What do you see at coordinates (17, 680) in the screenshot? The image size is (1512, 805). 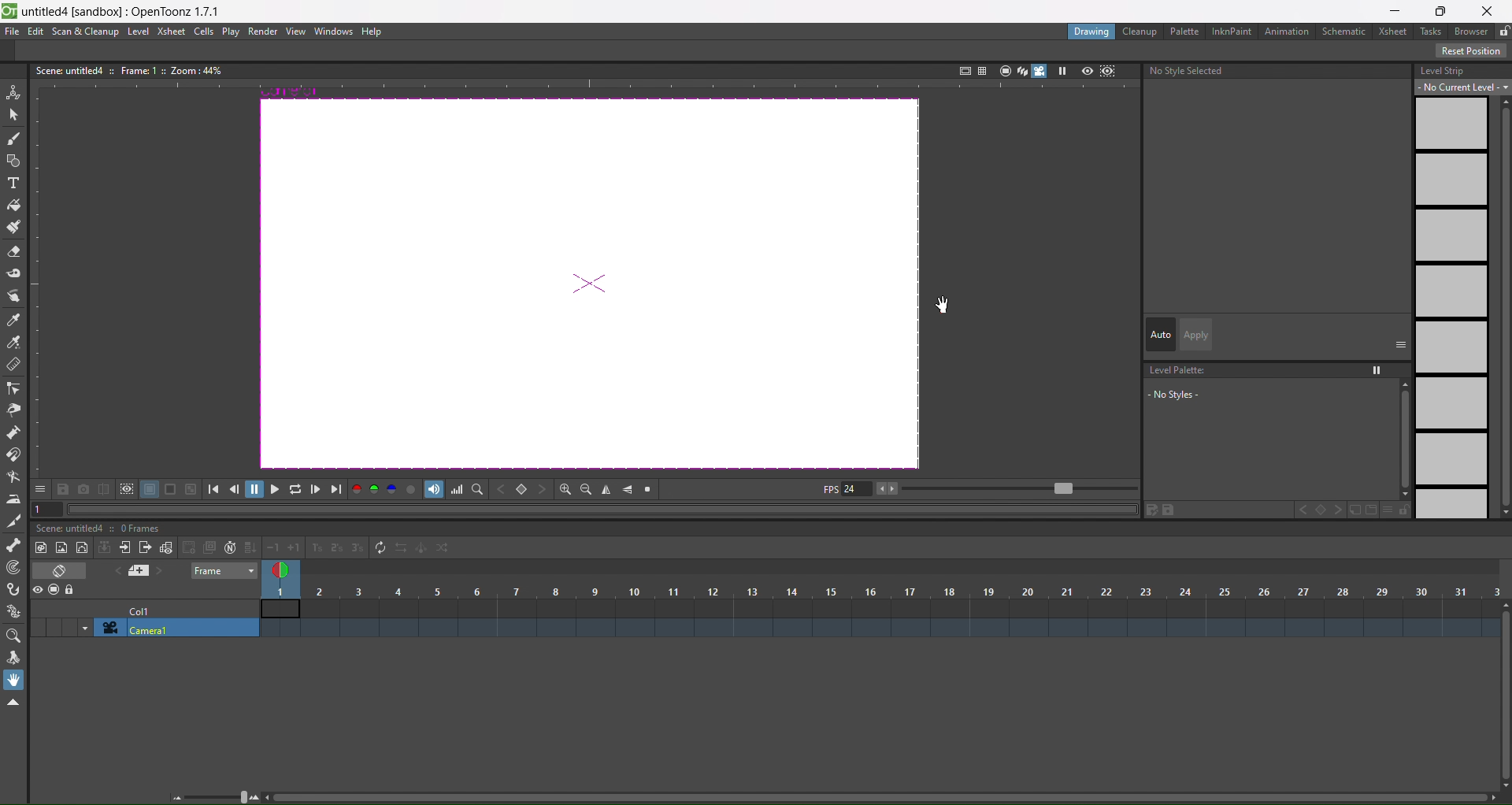 I see `hand tool` at bounding box center [17, 680].